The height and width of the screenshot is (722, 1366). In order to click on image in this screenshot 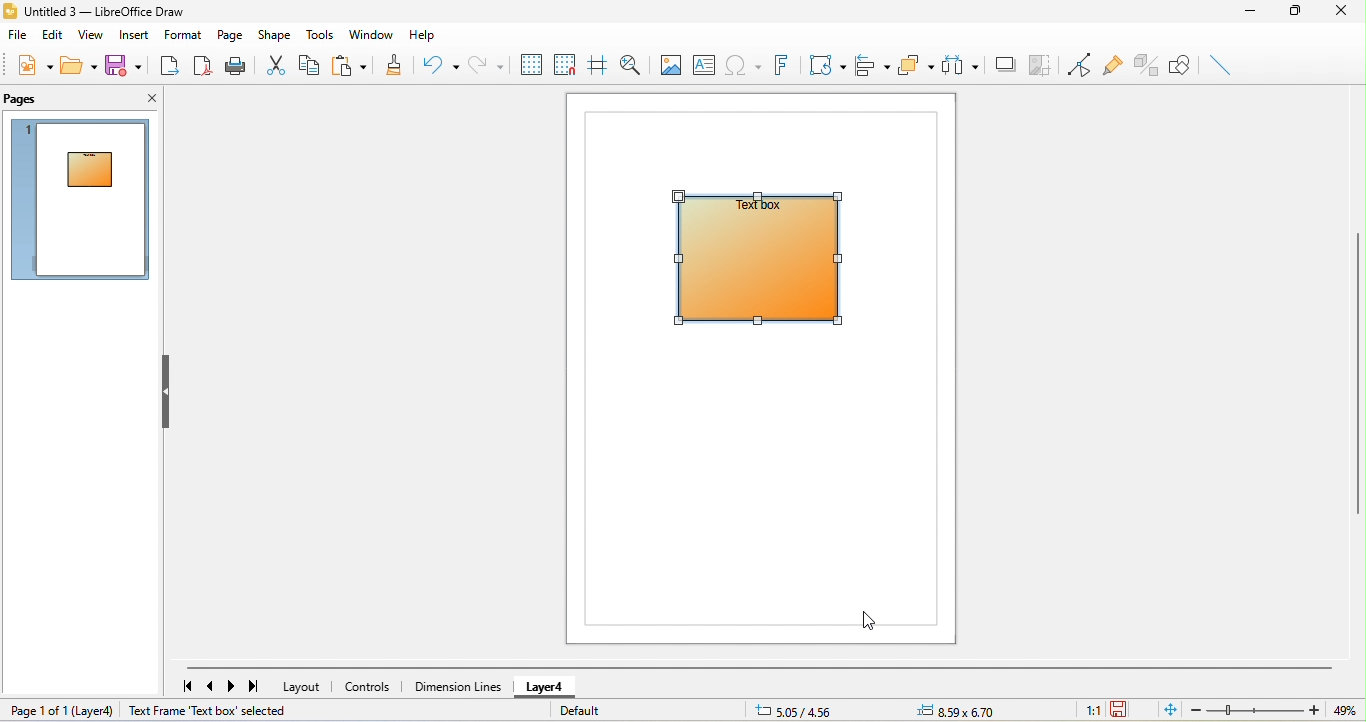, I will do `click(668, 64)`.